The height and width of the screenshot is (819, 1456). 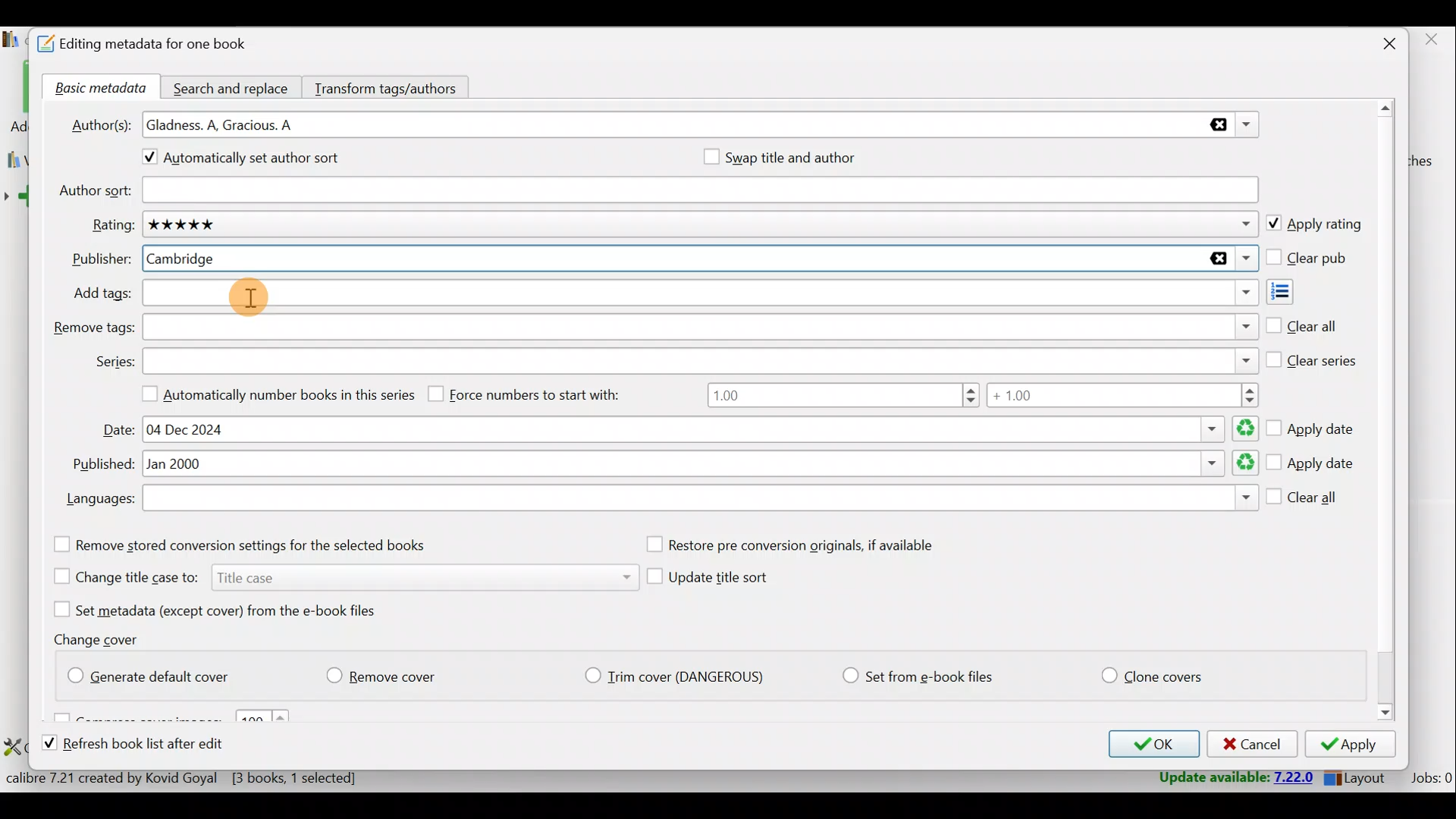 I want to click on Remove cover, so click(x=391, y=673).